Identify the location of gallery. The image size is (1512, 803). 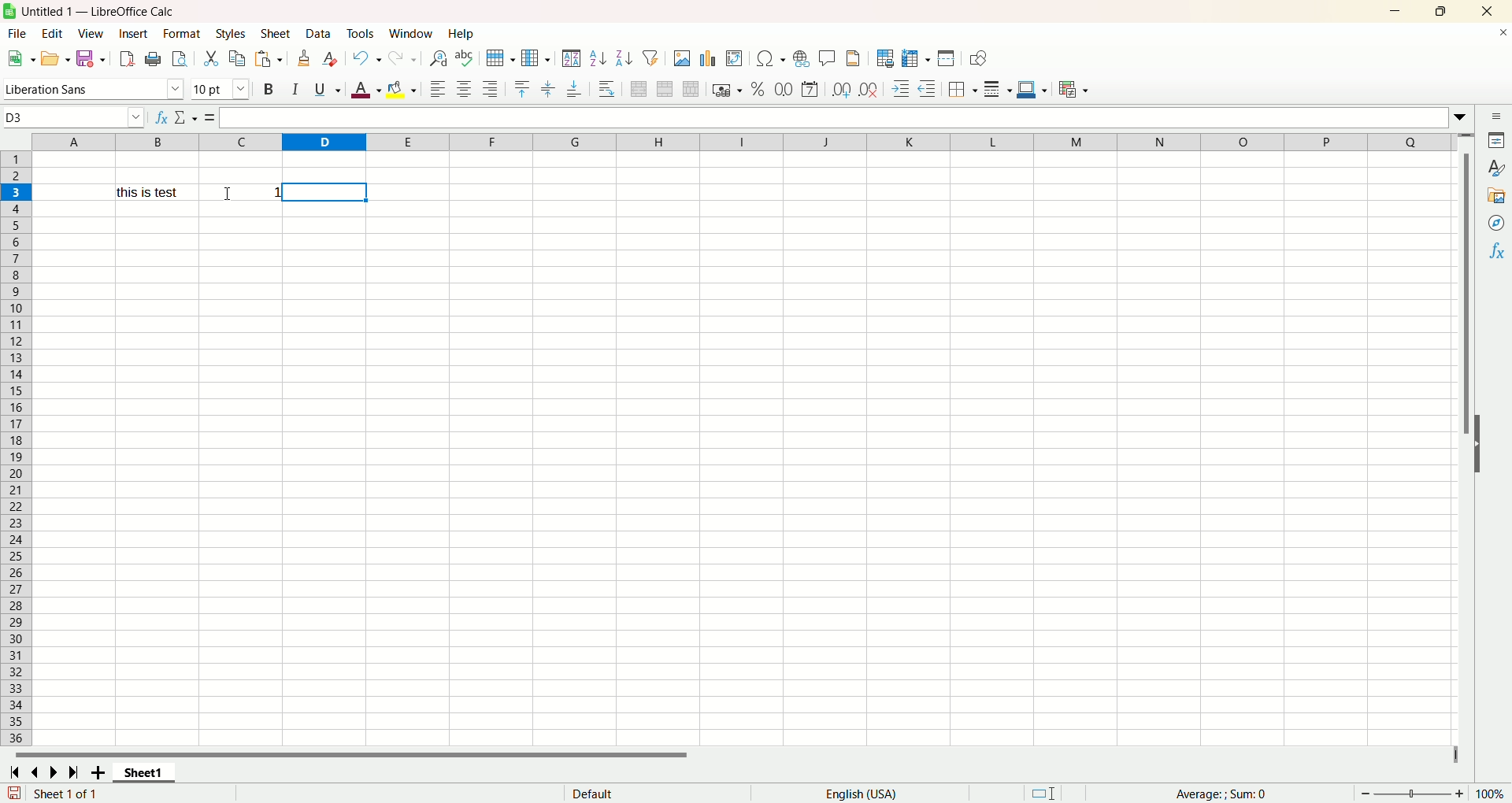
(1497, 194).